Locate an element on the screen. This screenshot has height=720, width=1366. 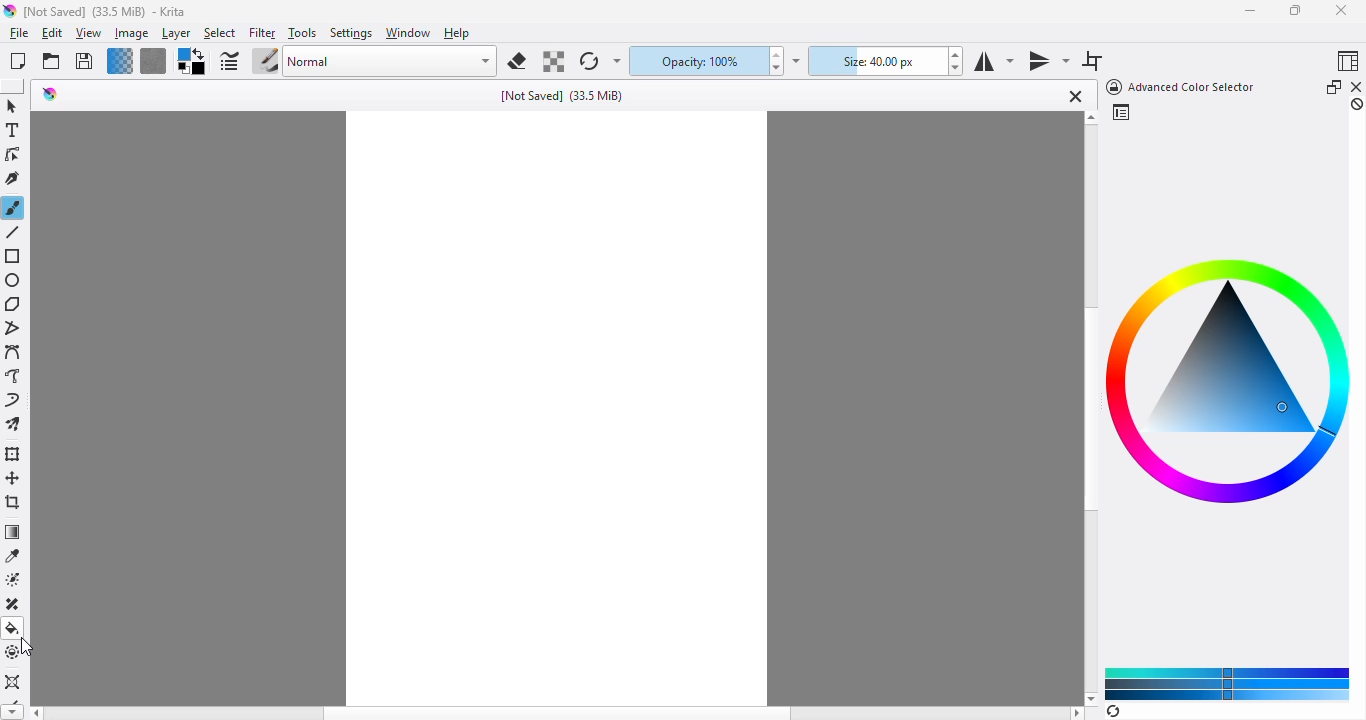
polygon tool is located at coordinates (12, 304).